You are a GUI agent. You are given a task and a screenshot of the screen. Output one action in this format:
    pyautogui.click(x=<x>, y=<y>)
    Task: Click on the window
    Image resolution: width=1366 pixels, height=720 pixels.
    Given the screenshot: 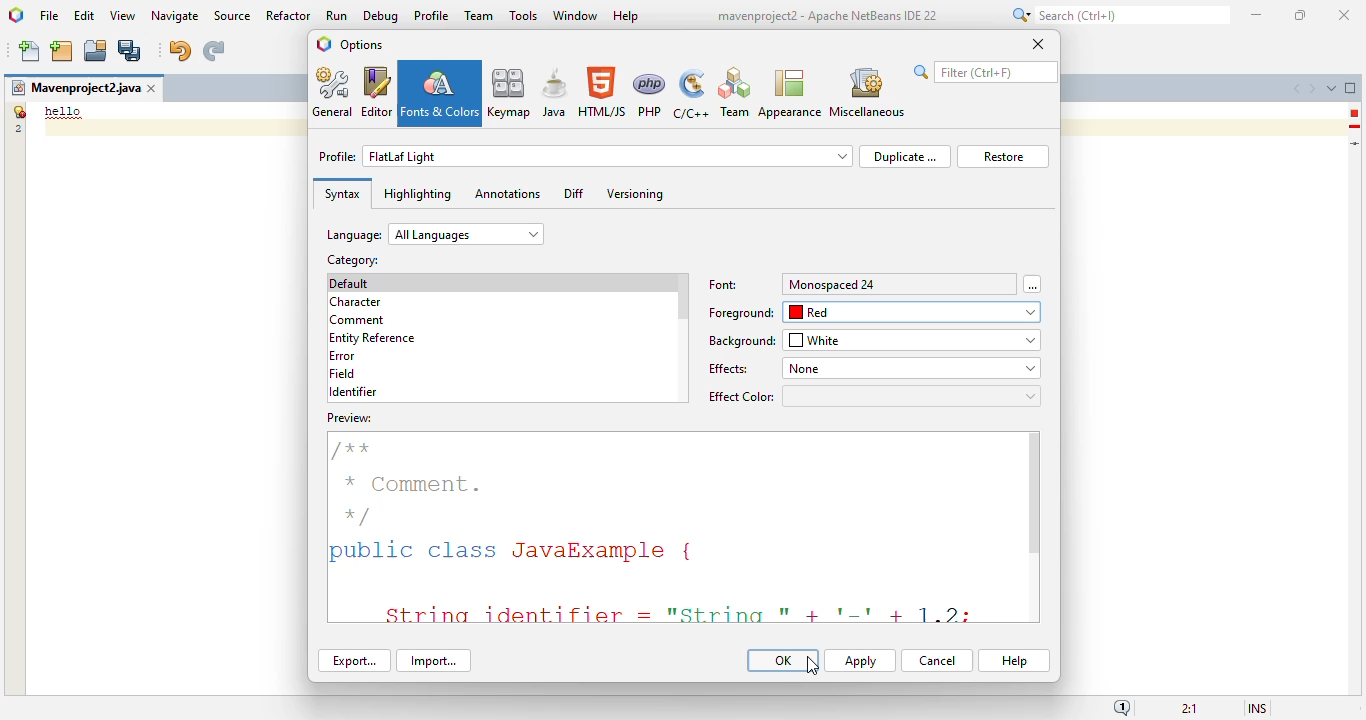 What is the action you would take?
    pyautogui.click(x=576, y=15)
    